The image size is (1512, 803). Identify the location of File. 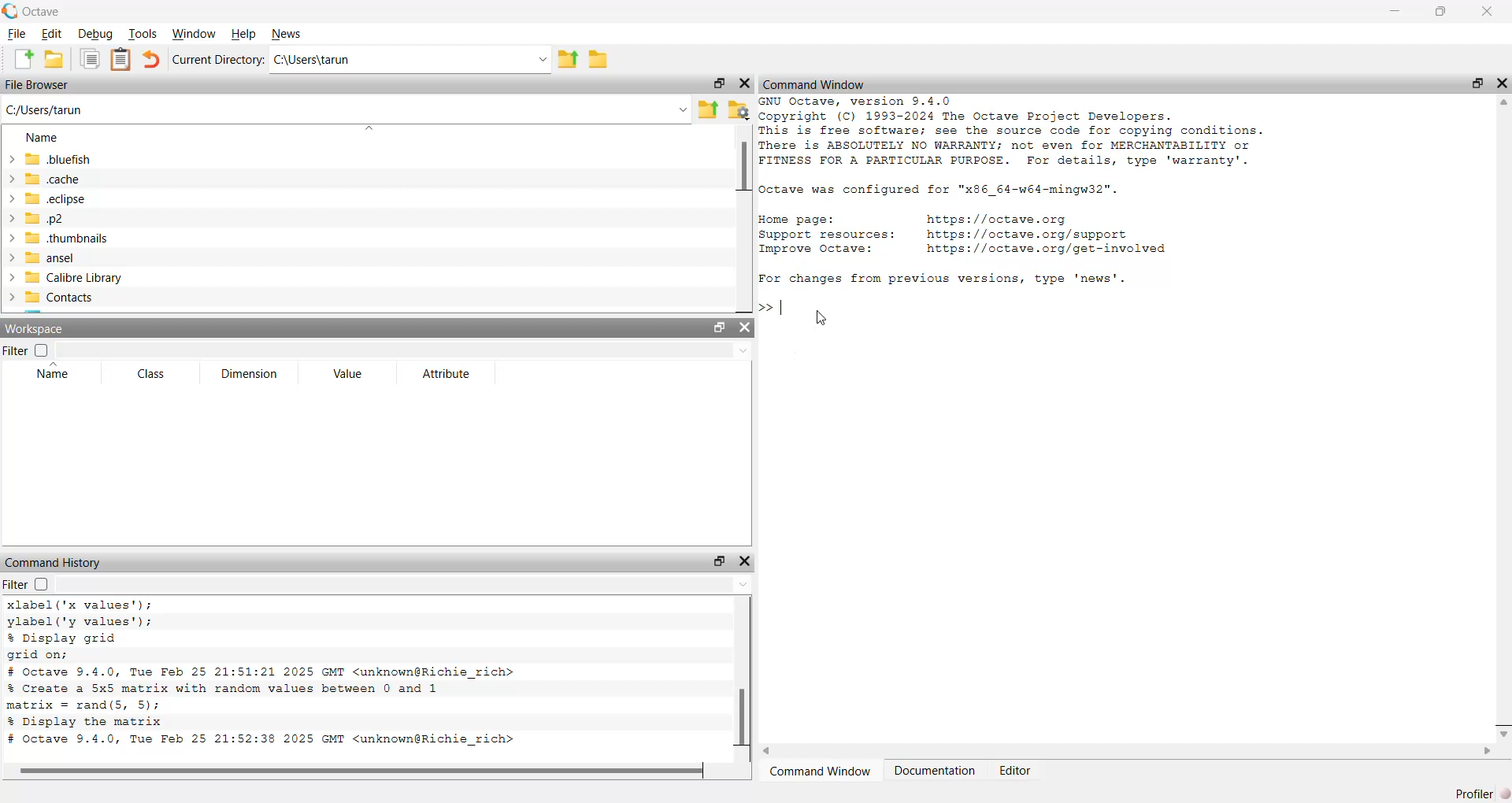
(17, 33).